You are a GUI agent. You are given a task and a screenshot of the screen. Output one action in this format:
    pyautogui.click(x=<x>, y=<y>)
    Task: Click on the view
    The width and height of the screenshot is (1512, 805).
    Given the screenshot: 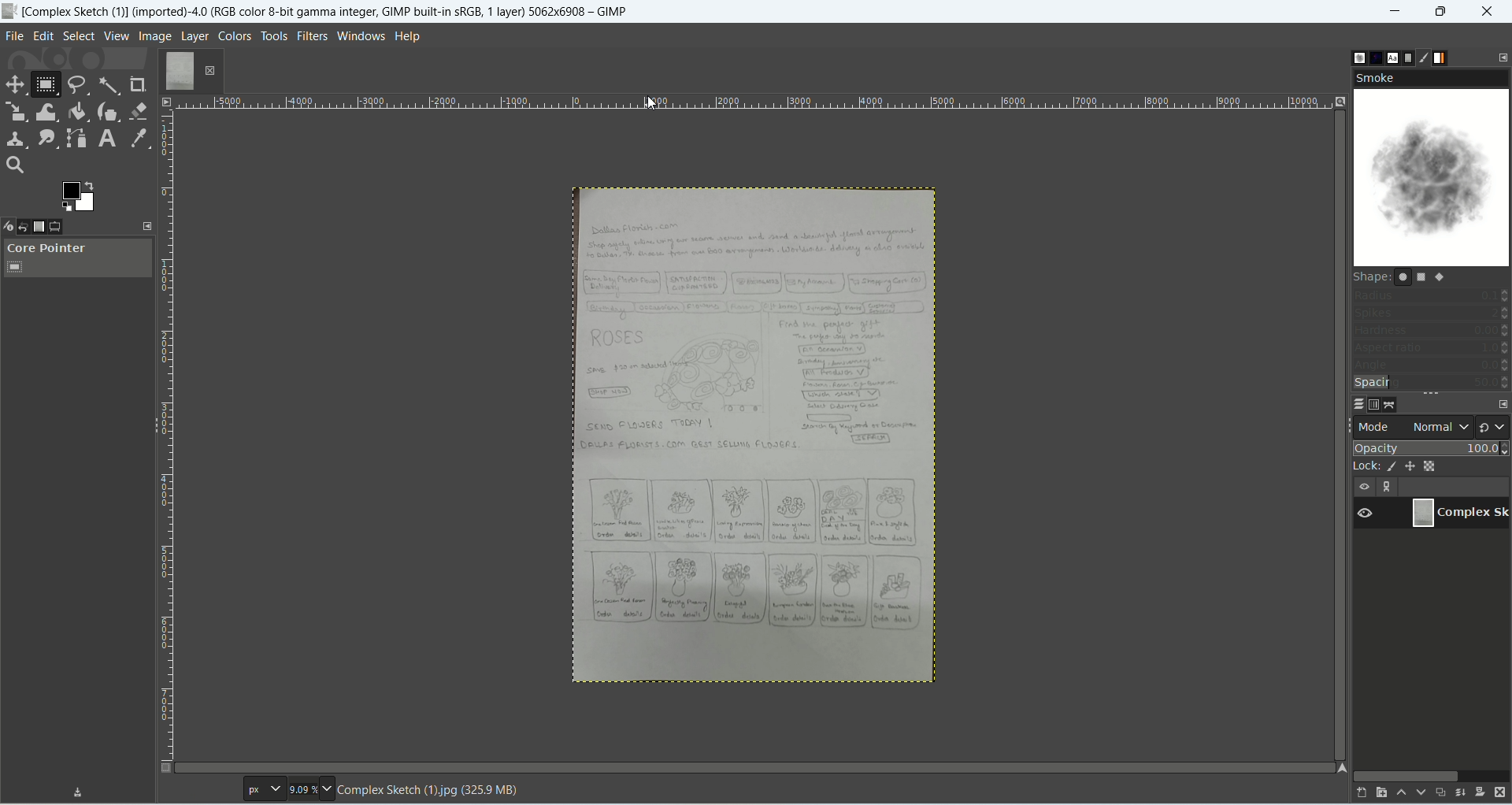 What is the action you would take?
    pyautogui.click(x=116, y=35)
    